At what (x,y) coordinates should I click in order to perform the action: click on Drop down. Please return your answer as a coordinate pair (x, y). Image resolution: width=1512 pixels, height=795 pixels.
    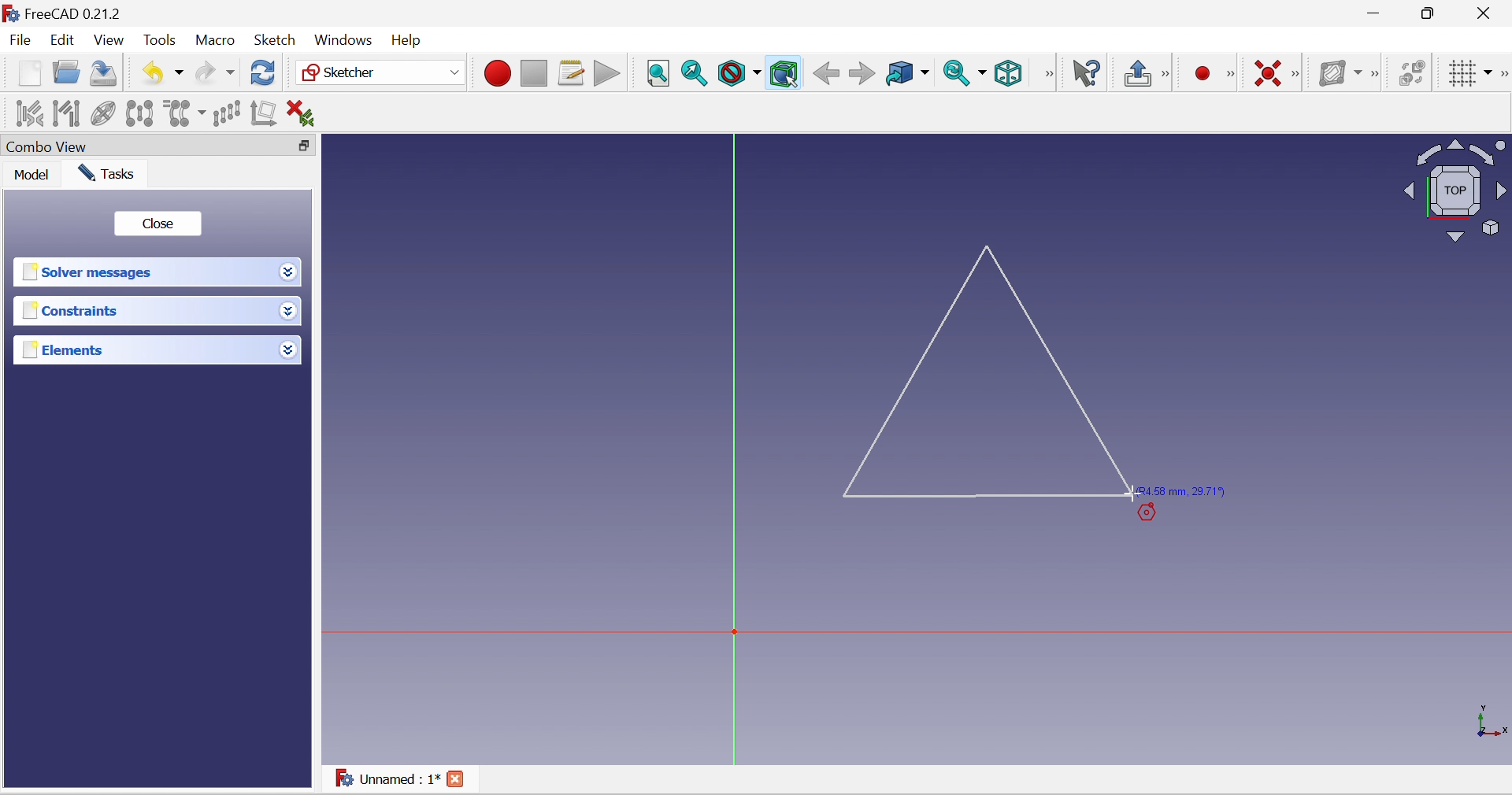
    Looking at the image, I should click on (289, 312).